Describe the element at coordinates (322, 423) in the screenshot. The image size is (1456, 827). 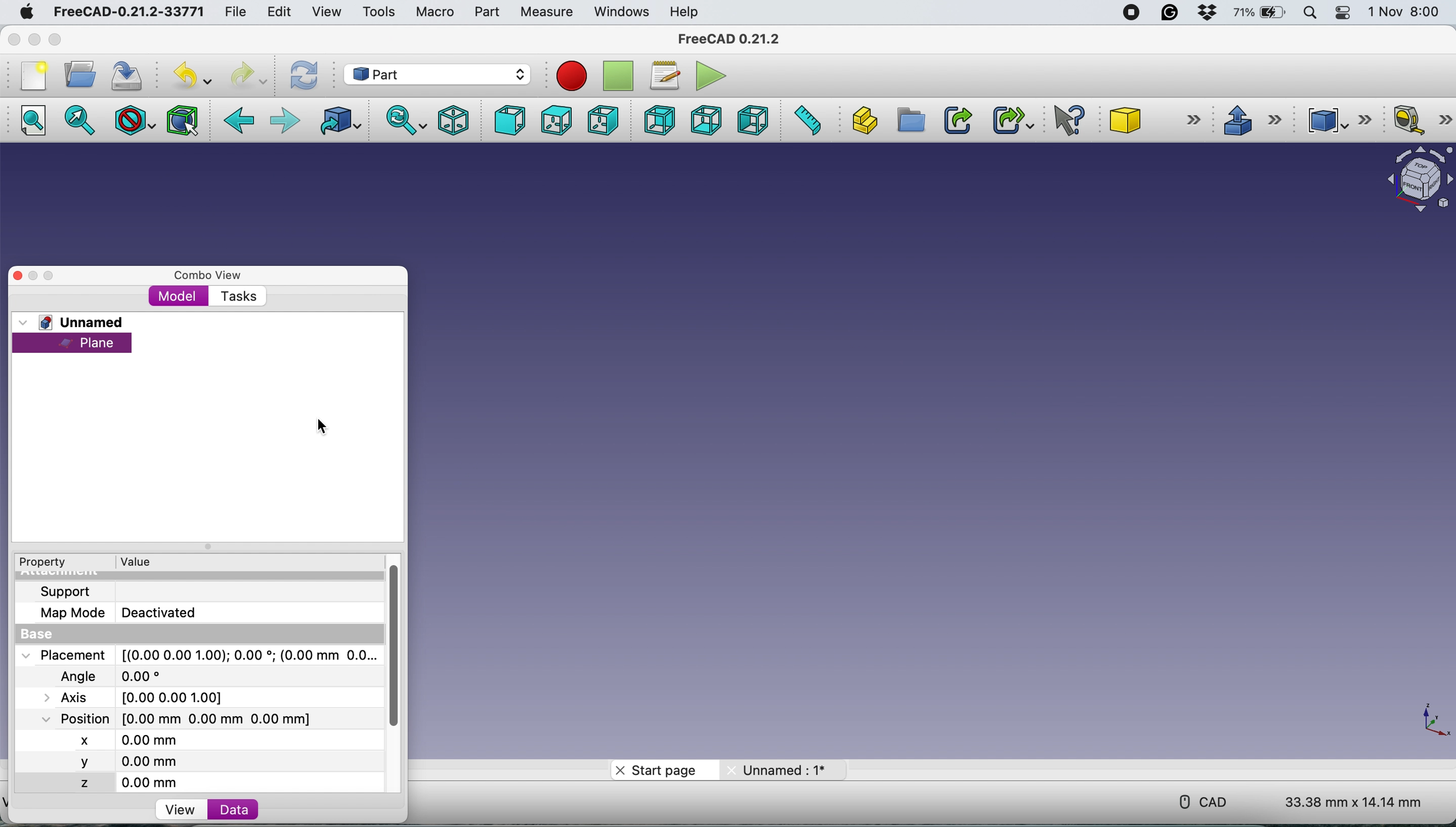
I see `cursor` at that location.